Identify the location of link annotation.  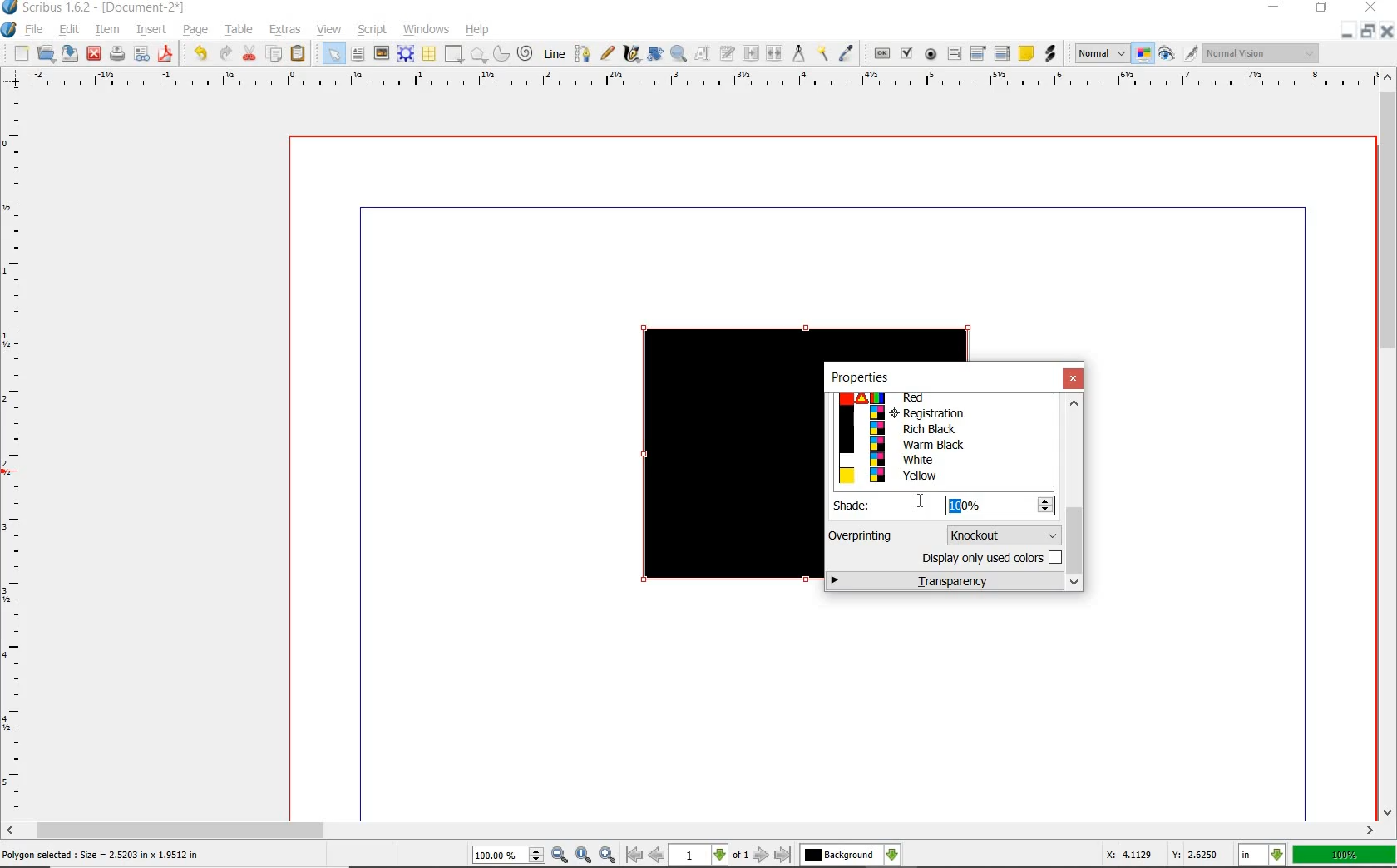
(1050, 54).